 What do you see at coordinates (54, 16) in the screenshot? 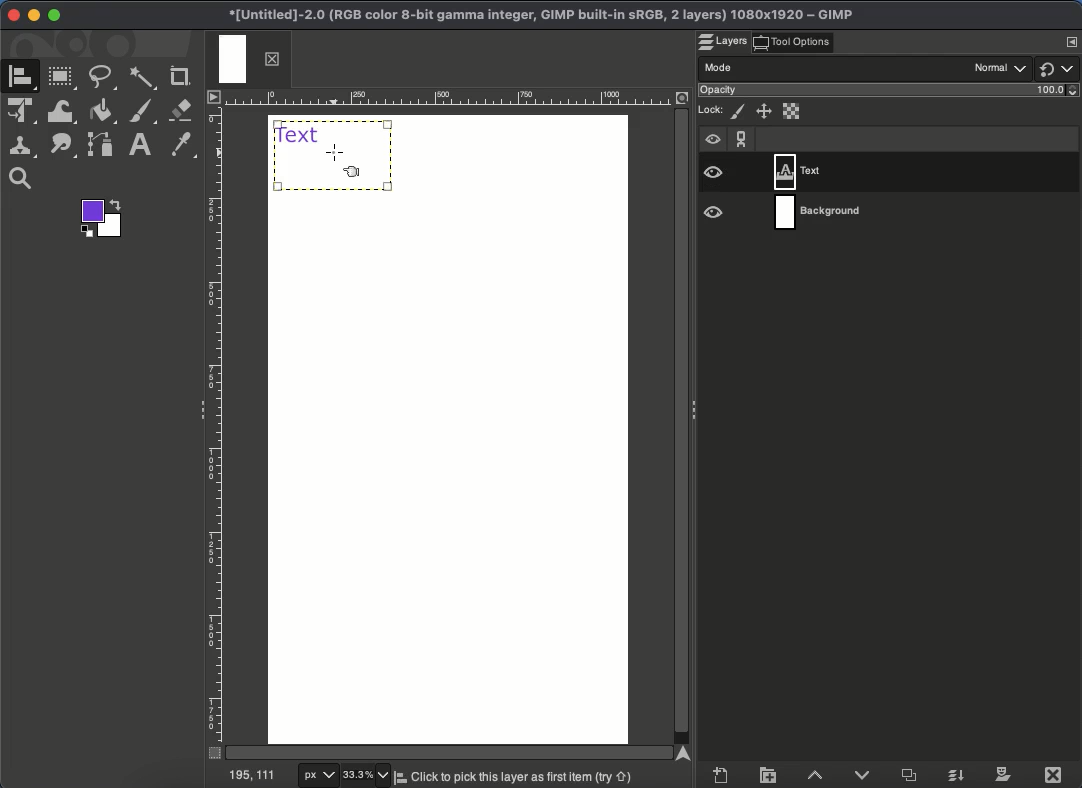
I see `Maximize` at bounding box center [54, 16].